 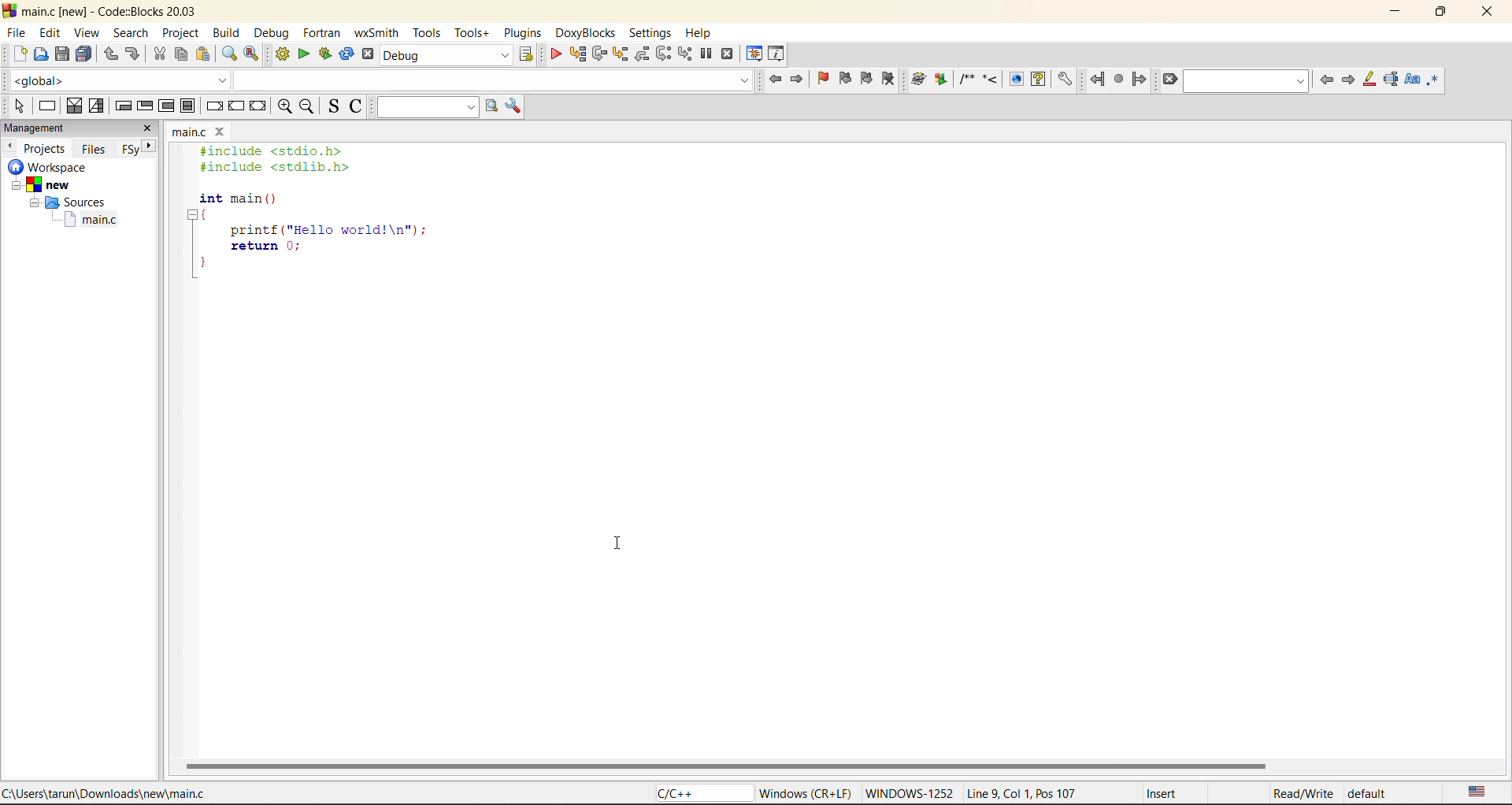 What do you see at coordinates (273, 32) in the screenshot?
I see `debug` at bounding box center [273, 32].